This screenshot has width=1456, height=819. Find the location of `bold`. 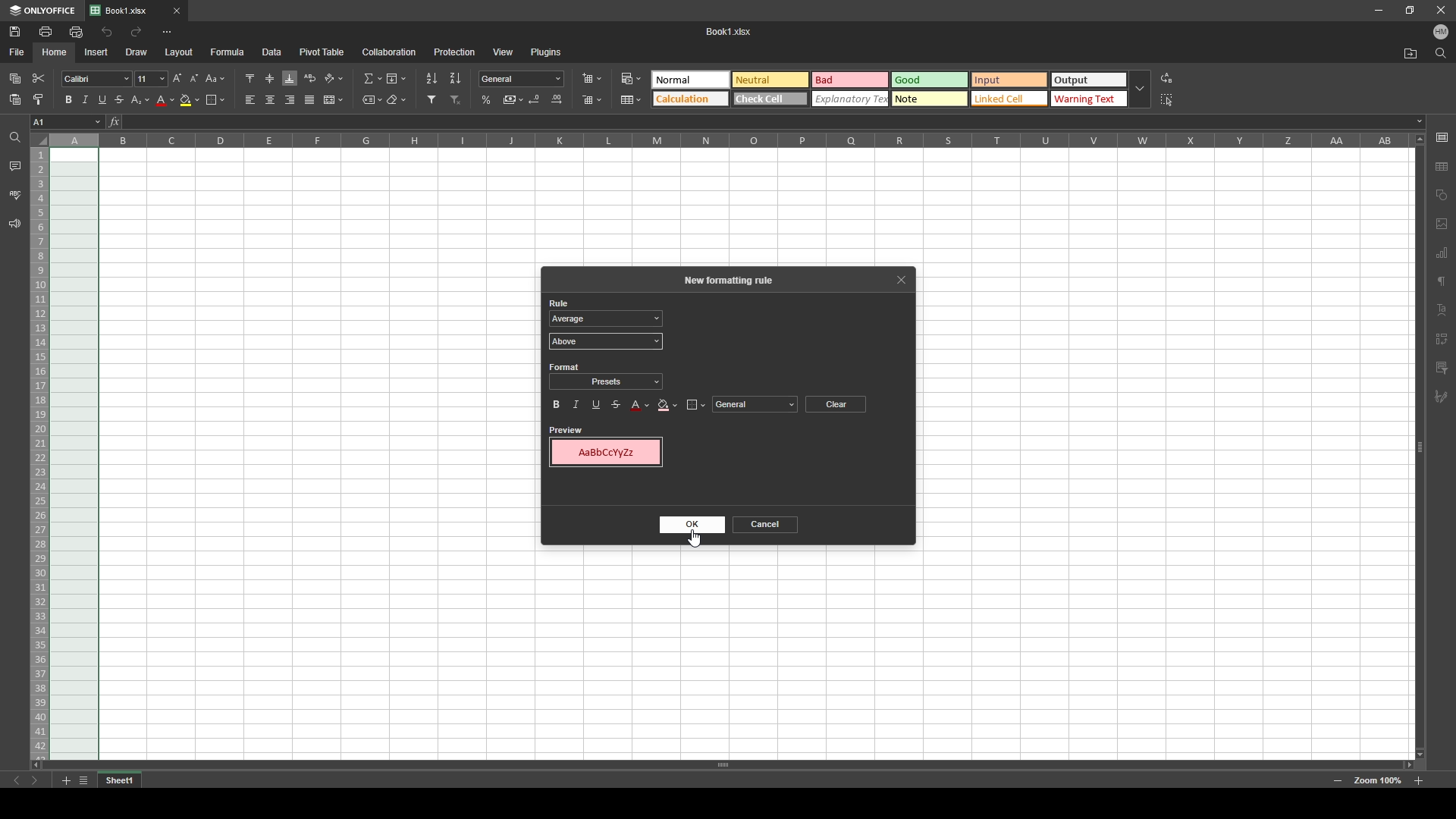

bold is located at coordinates (556, 405).